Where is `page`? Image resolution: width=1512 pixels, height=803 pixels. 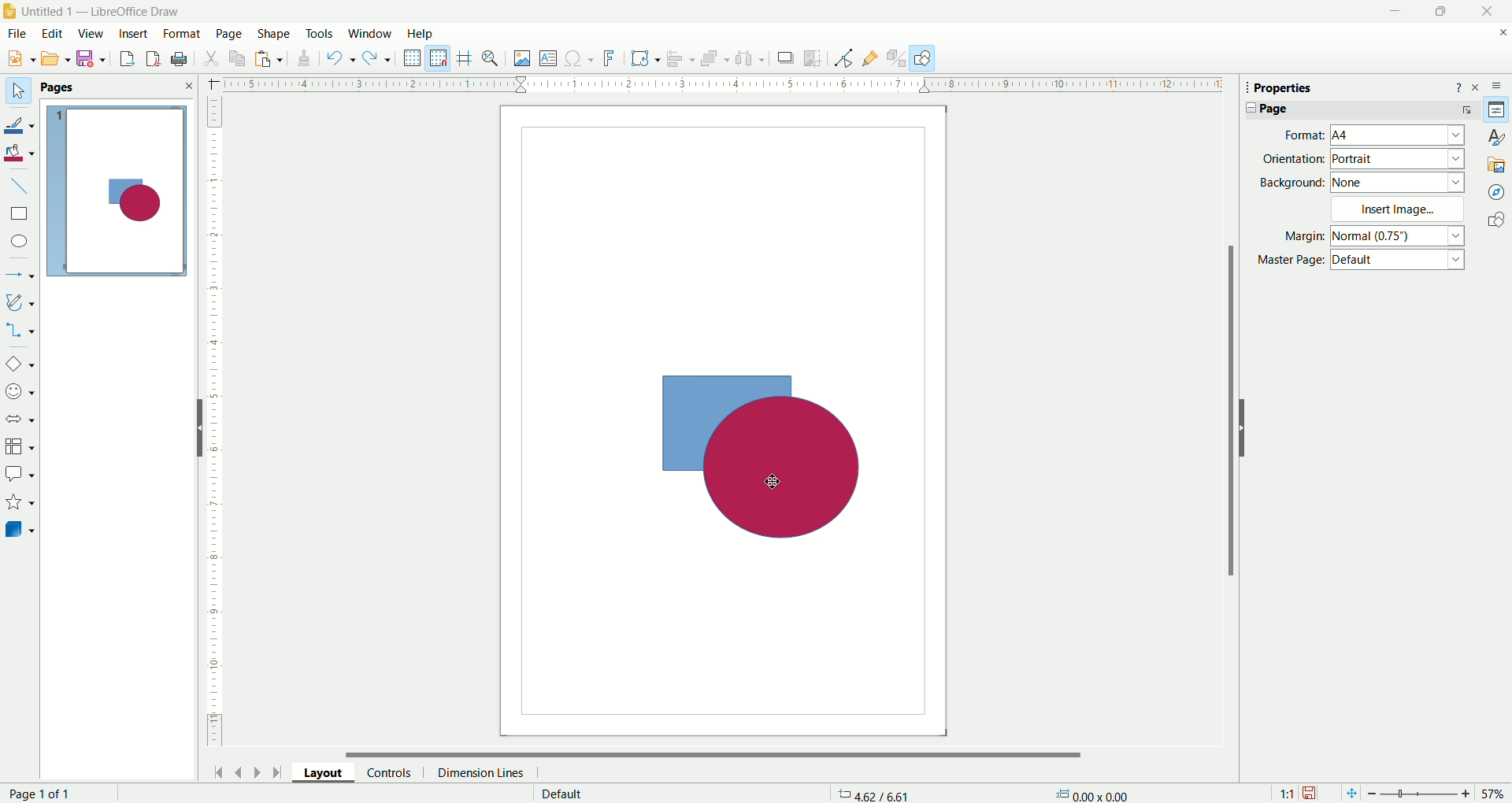
page is located at coordinates (122, 193).